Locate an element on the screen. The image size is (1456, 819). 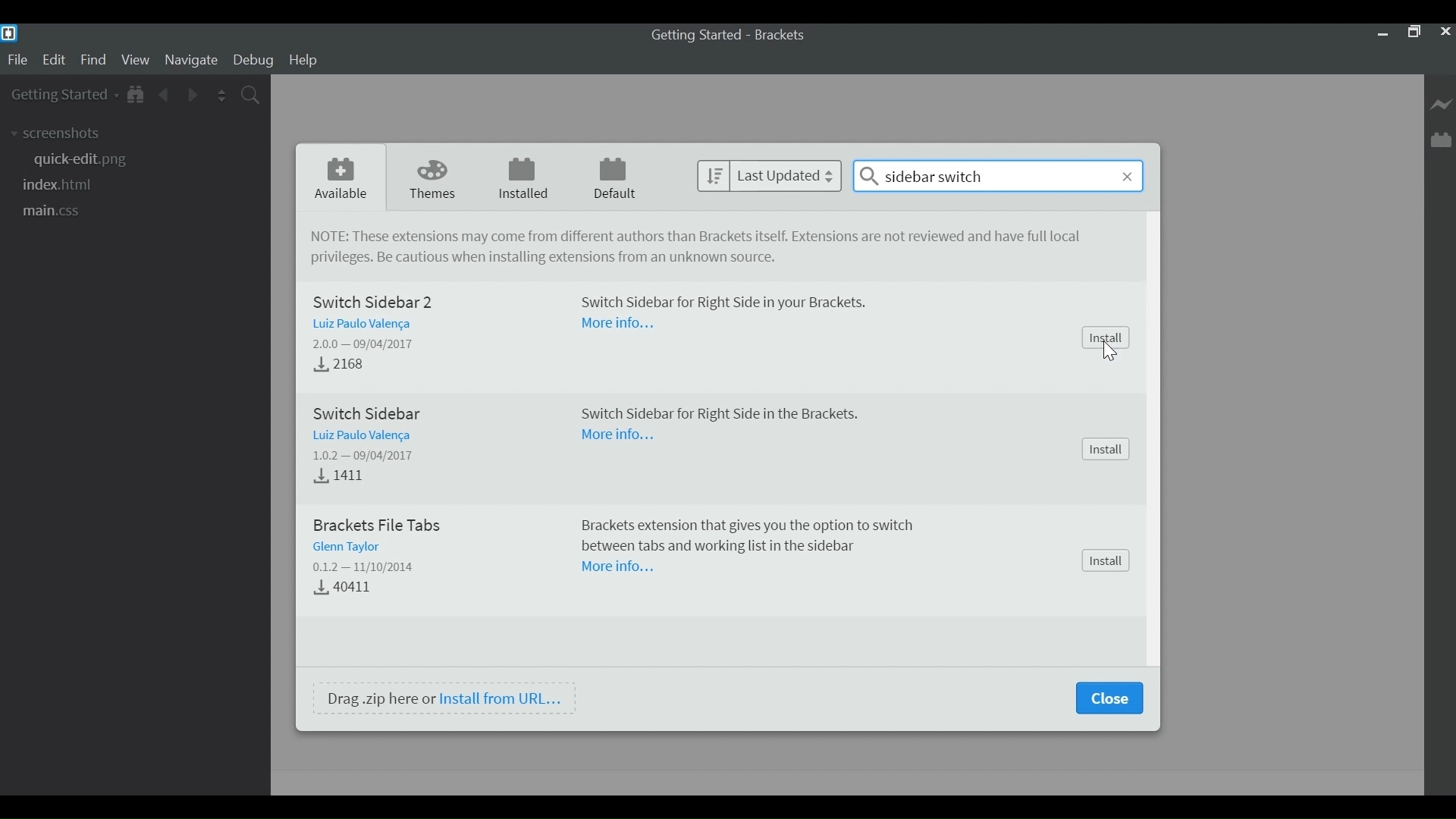
css file is located at coordinates (52, 211).